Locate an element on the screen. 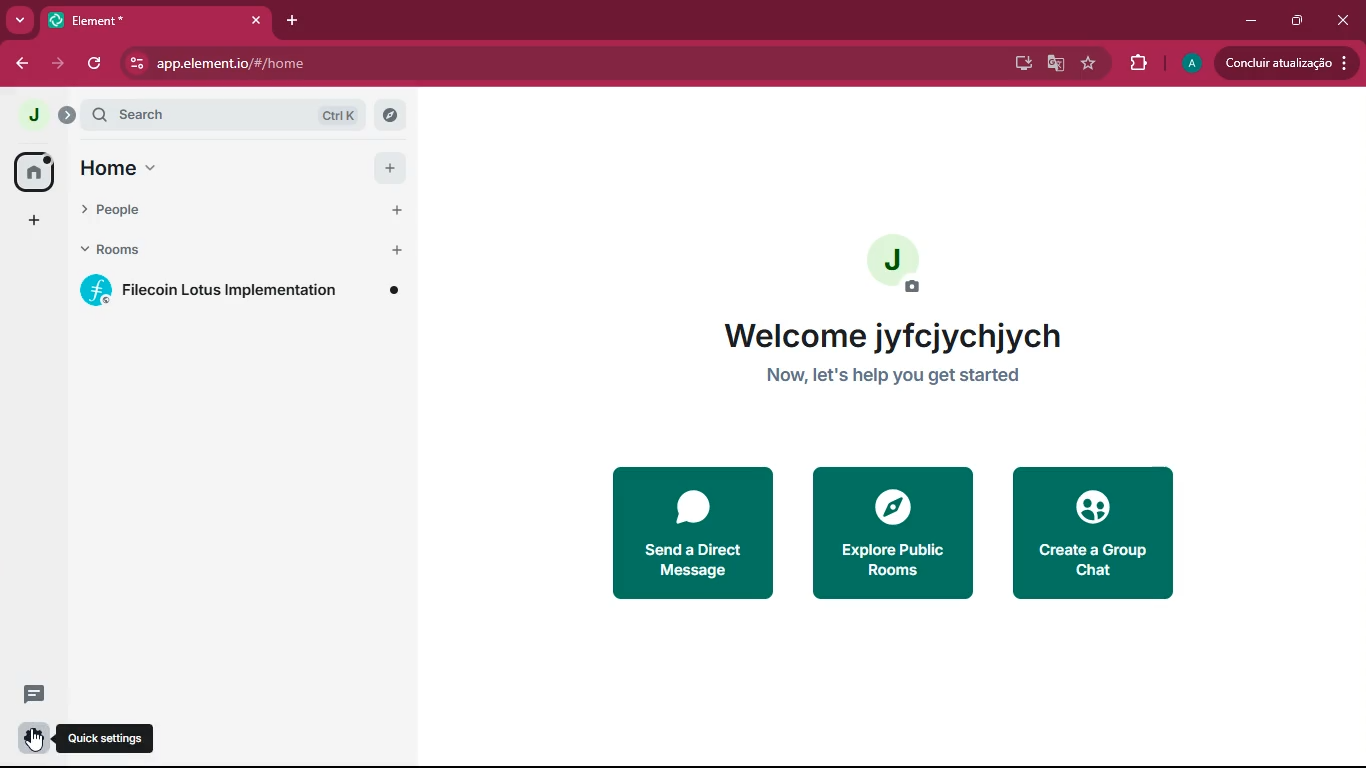 The image size is (1366, 768). quick settings is located at coordinates (103, 738).